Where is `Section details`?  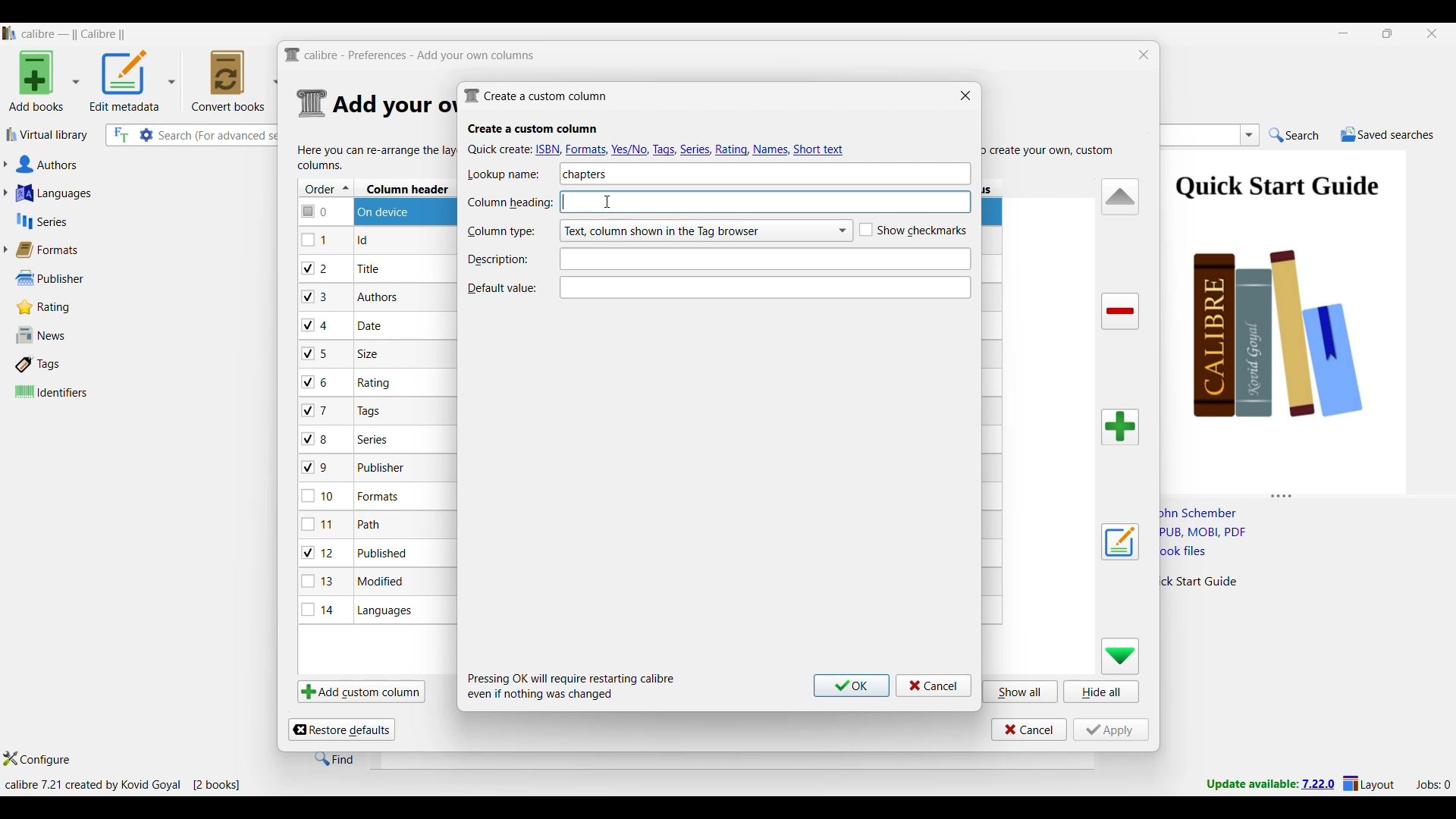 Section details is located at coordinates (392, 105).